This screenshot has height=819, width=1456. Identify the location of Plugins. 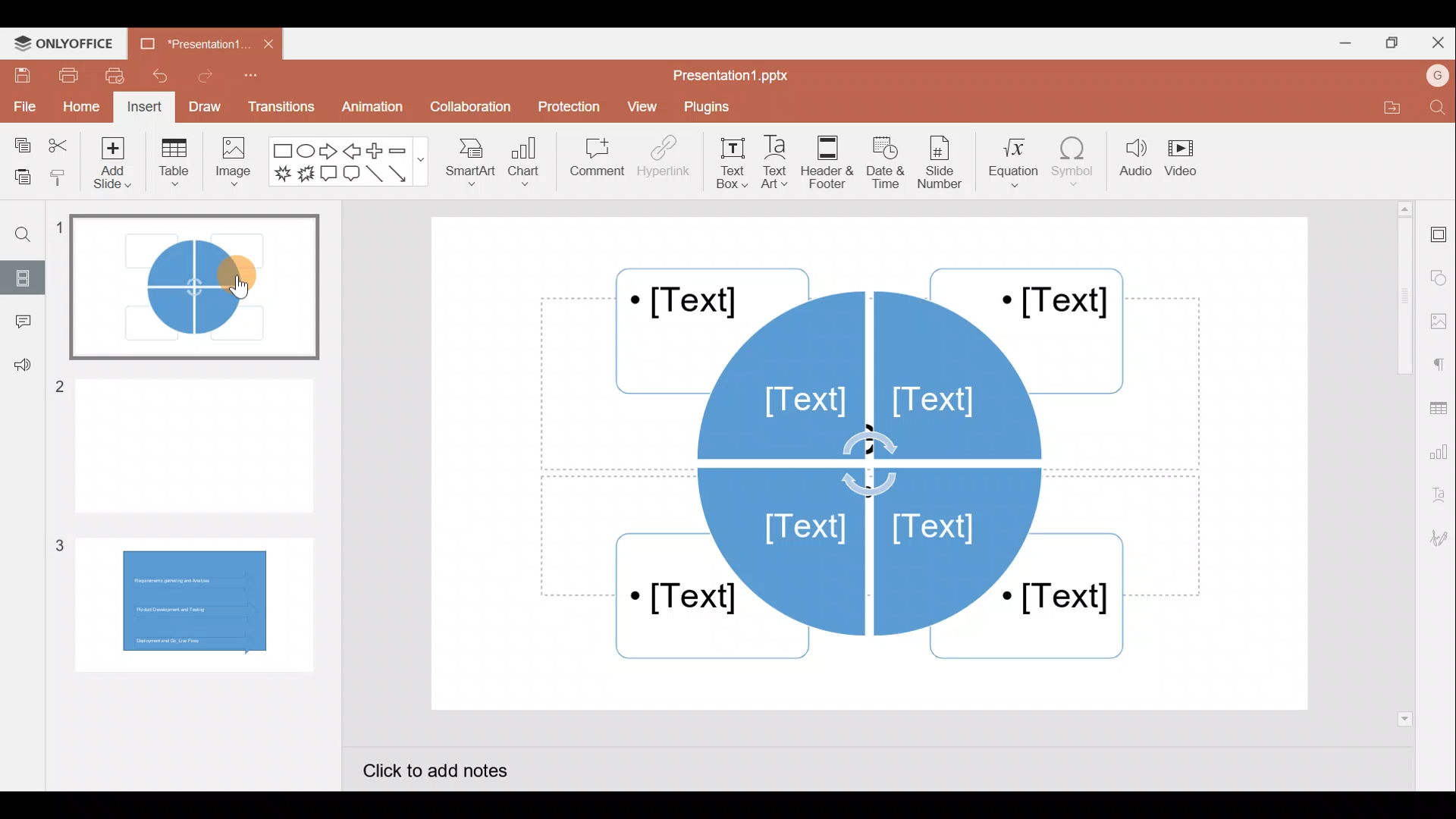
(714, 108).